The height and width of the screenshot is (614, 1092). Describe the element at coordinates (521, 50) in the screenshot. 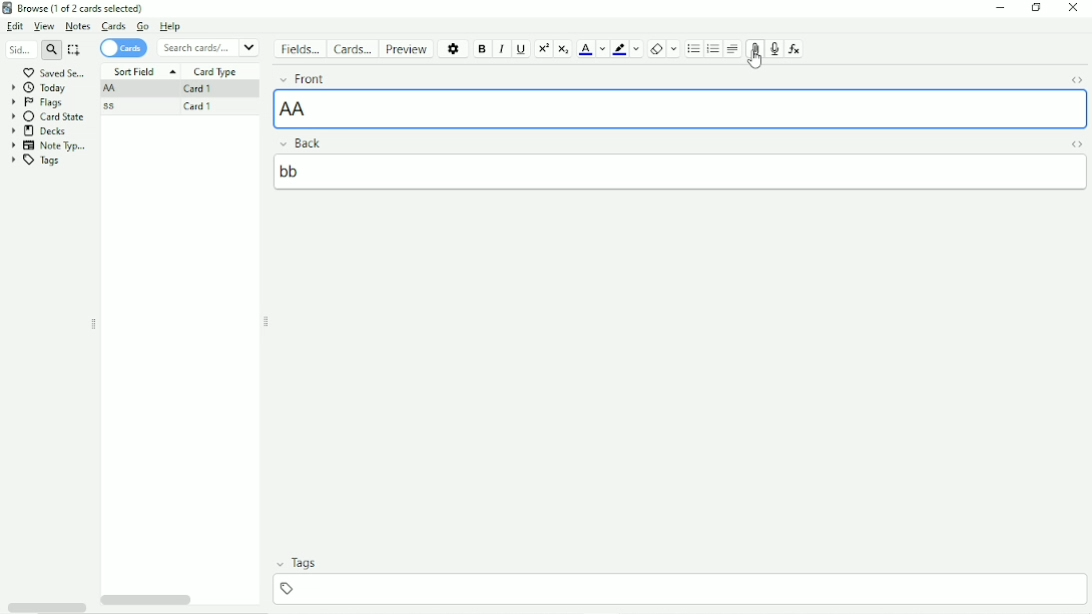

I see `Underline` at that location.